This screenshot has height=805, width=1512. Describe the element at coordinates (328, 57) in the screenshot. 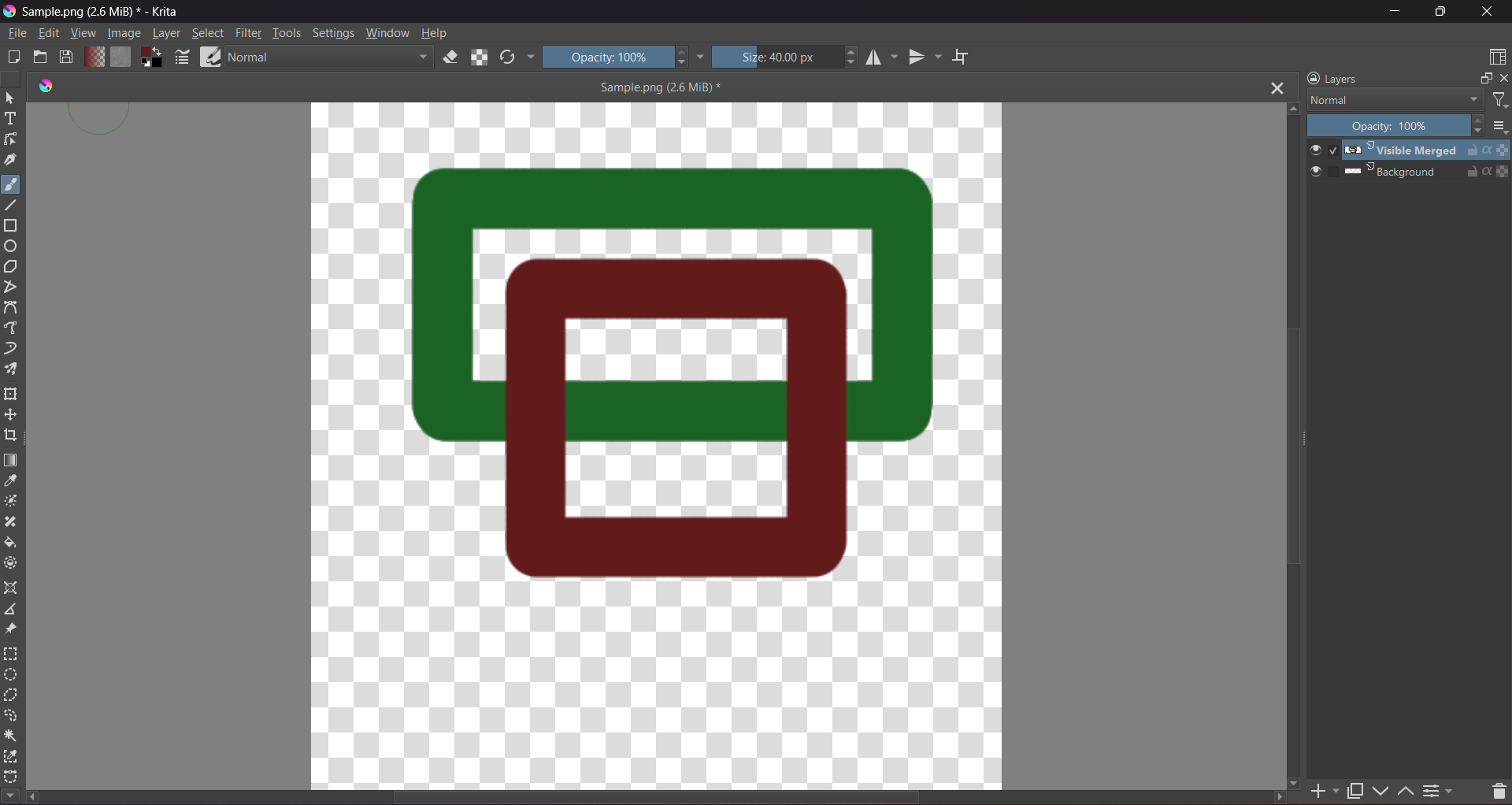

I see `Blending Mode` at that location.